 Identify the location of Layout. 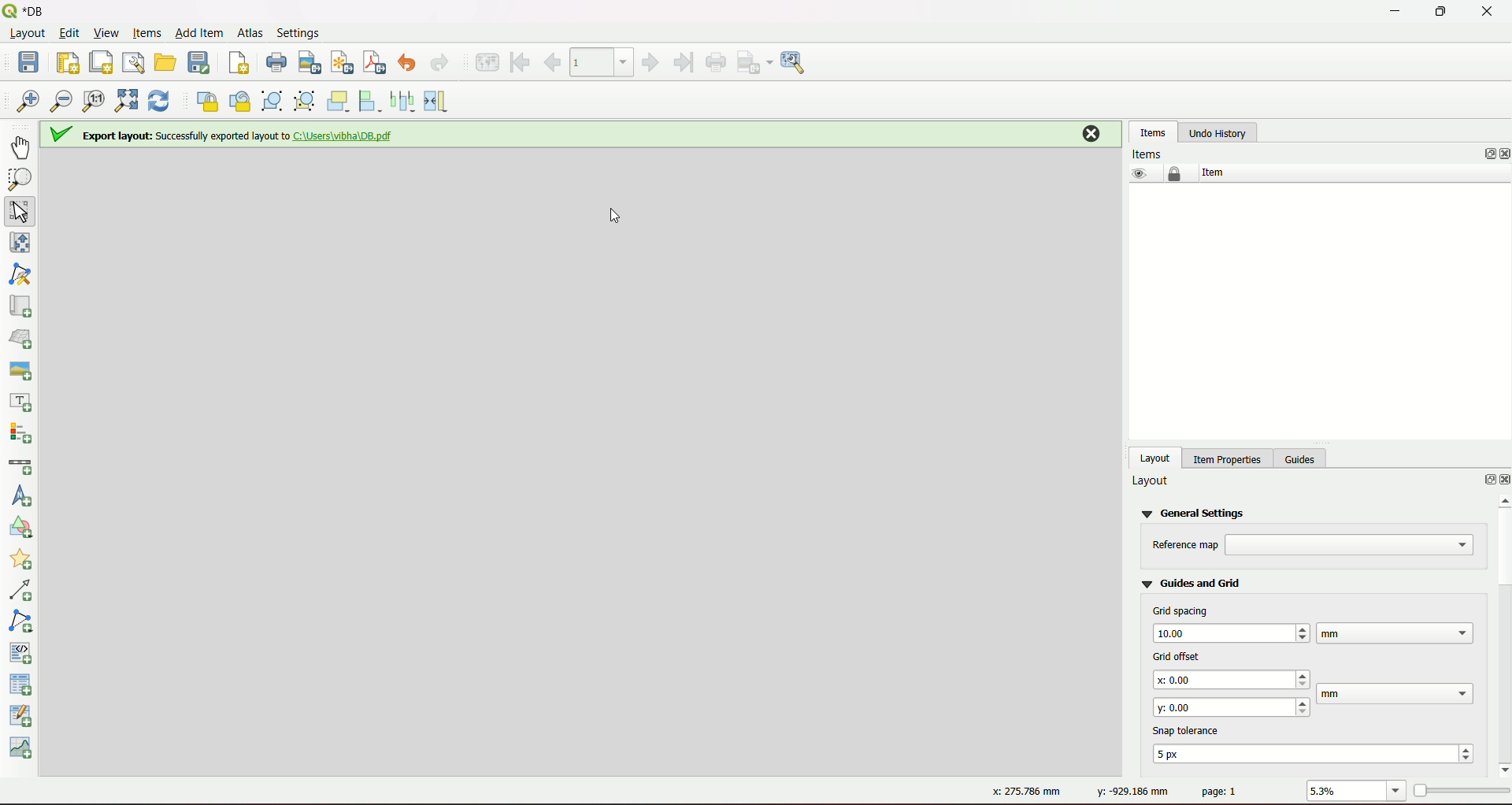
(27, 35).